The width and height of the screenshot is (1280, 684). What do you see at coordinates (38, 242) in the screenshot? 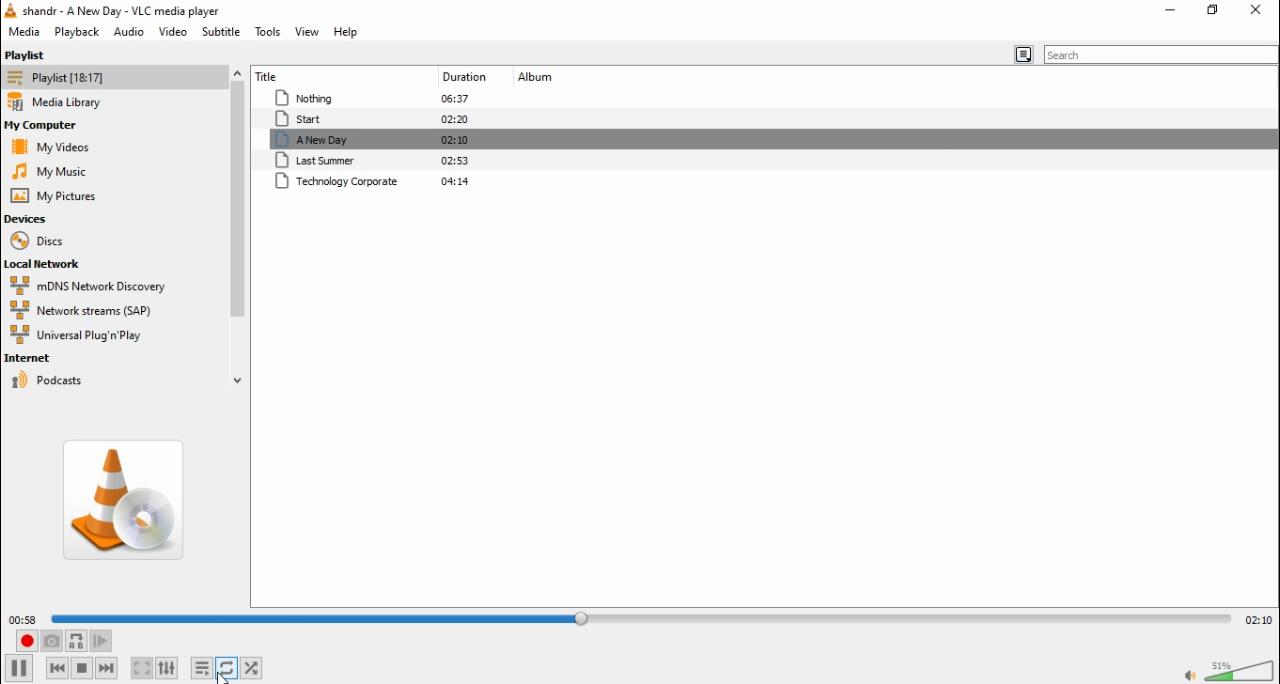
I see `discs` at bounding box center [38, 242].